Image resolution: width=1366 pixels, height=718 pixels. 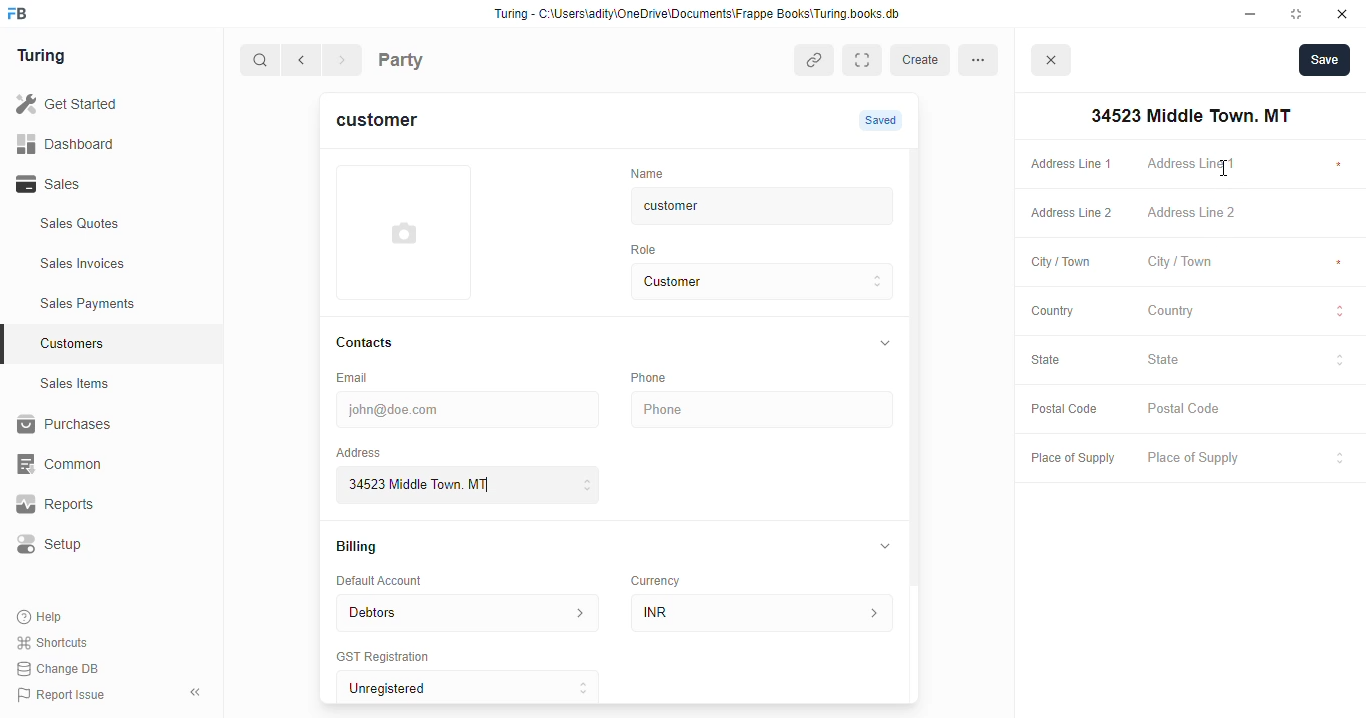 I want to click on maximise, so click(x=1300, y=14).